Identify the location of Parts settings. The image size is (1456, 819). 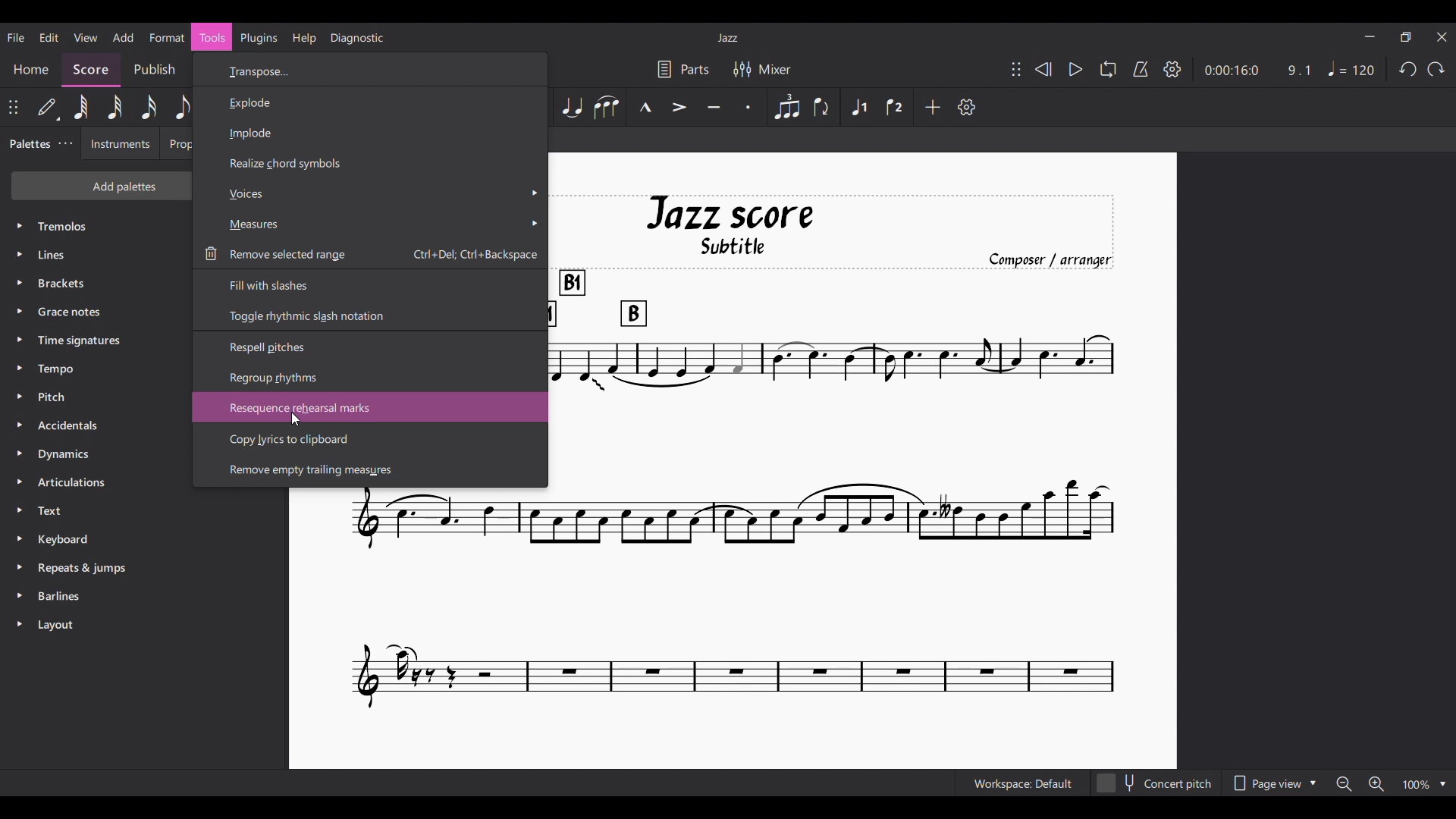
(683, 69).